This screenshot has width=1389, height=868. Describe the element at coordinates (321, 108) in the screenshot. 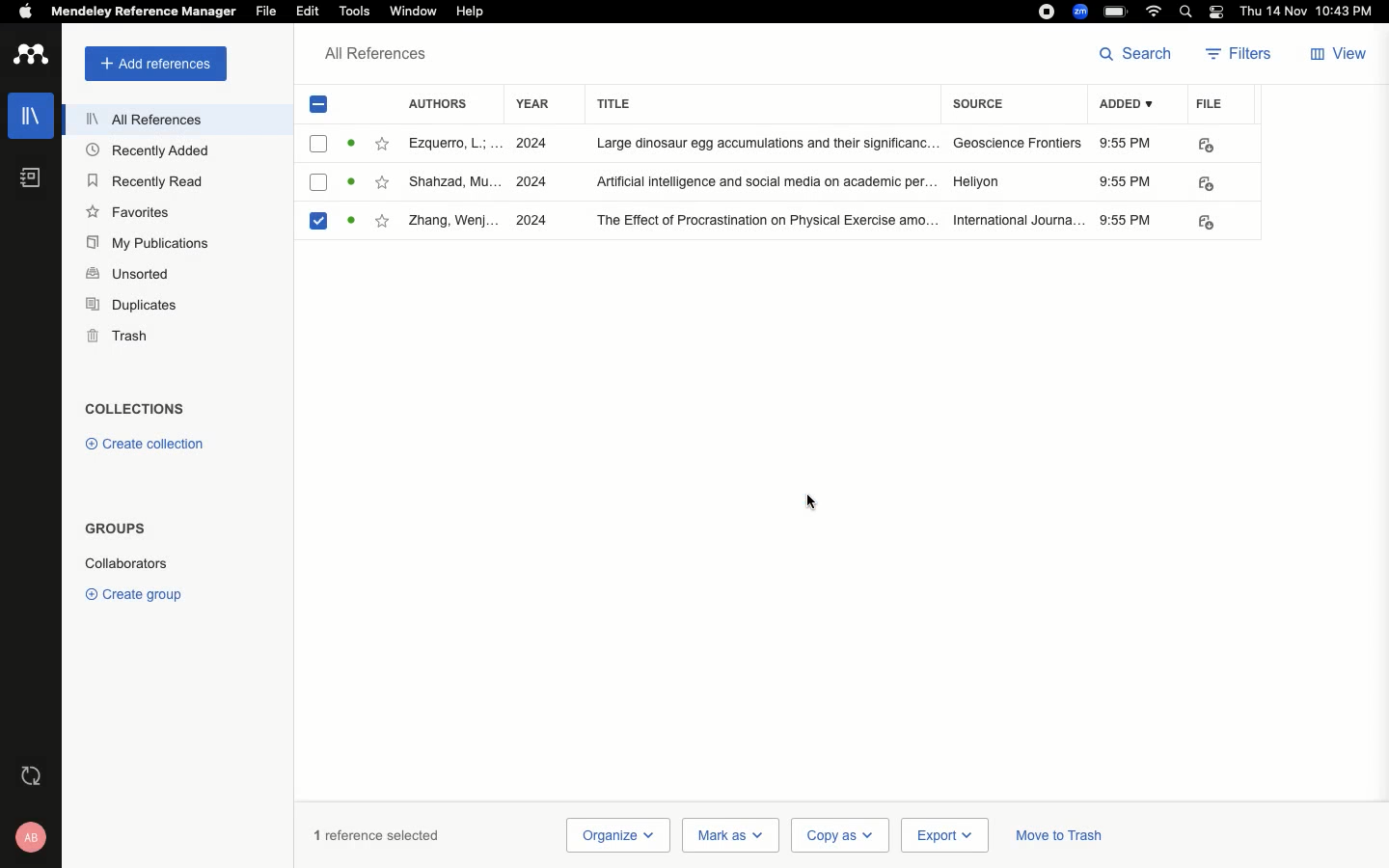

I see `Remove selection` at that location.